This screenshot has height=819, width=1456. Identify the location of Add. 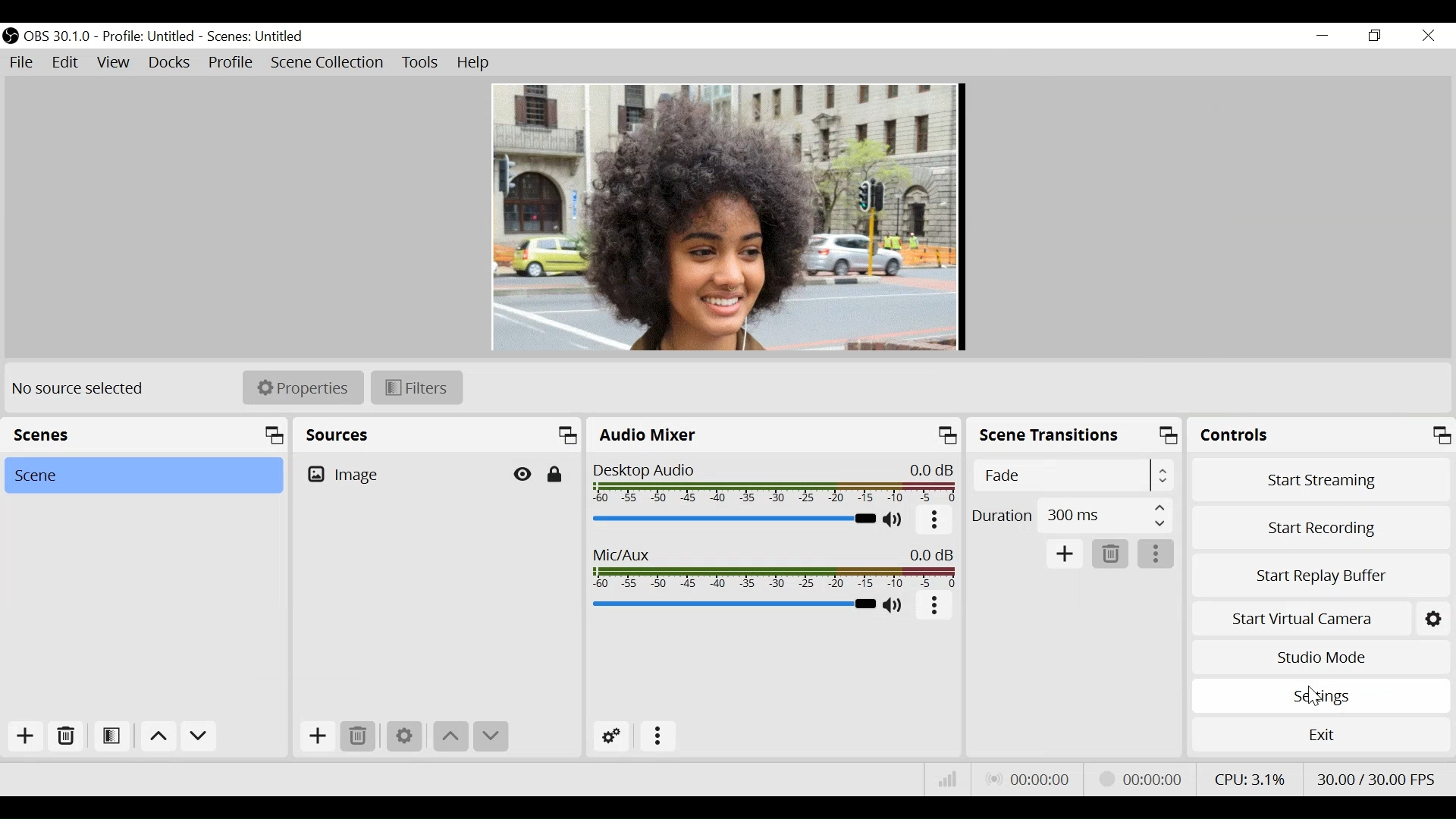
(317, 736).